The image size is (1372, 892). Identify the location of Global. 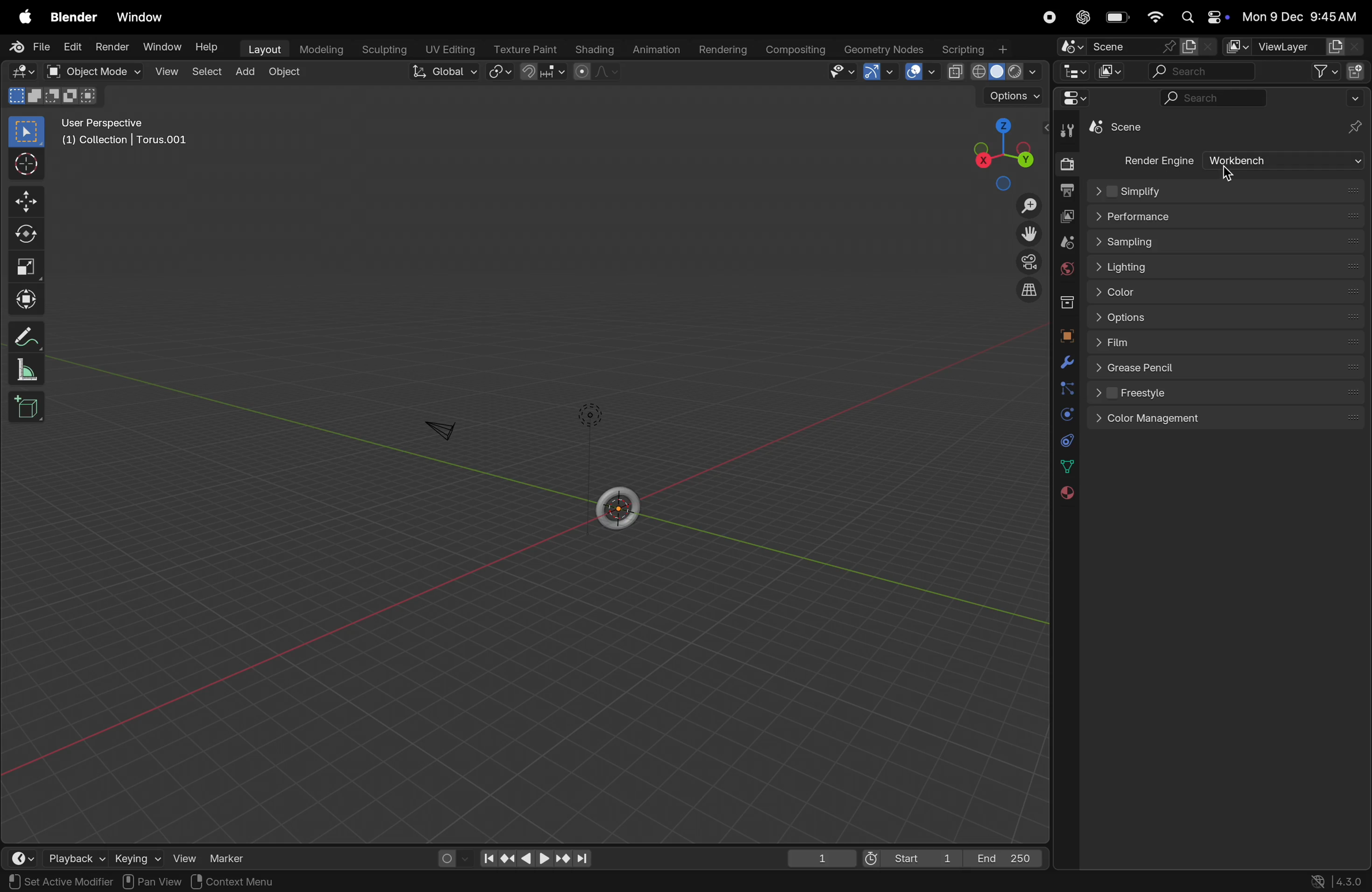
(442, 73).